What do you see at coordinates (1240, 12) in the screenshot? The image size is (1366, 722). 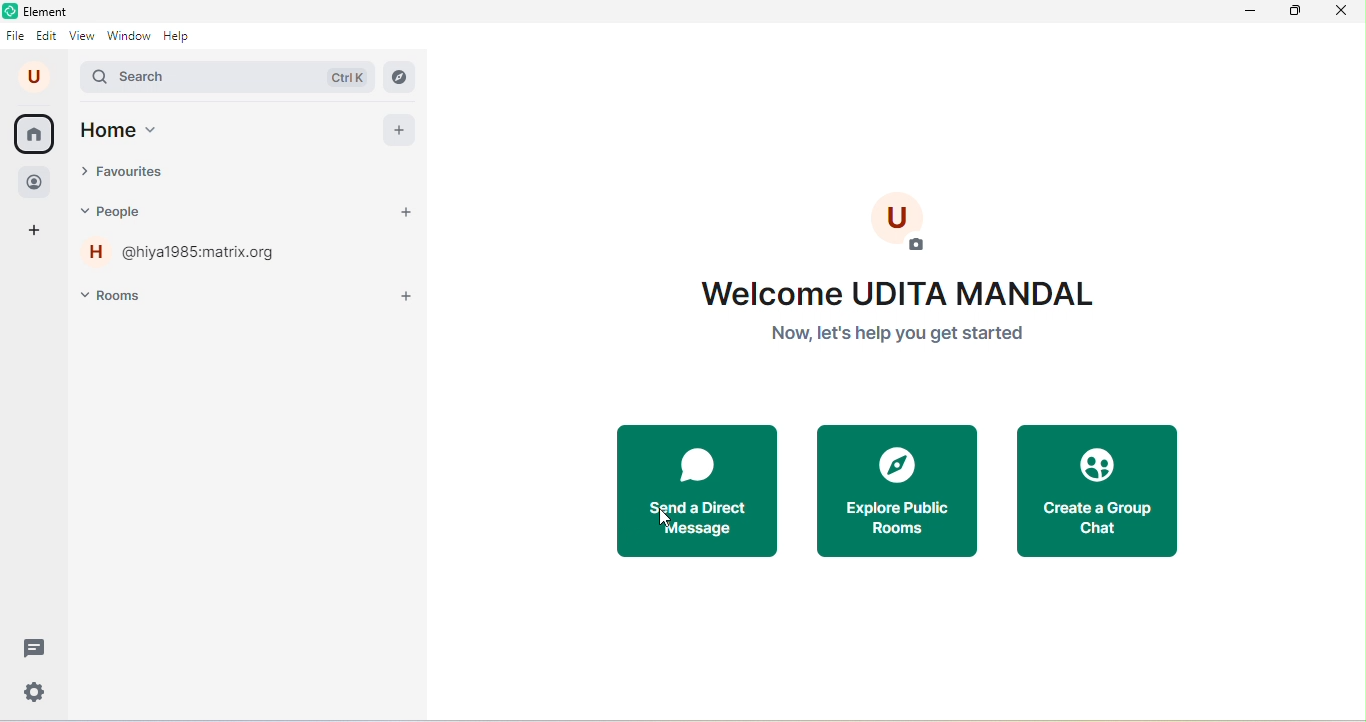 I see `minimize` at bounding box center [1240, 12].